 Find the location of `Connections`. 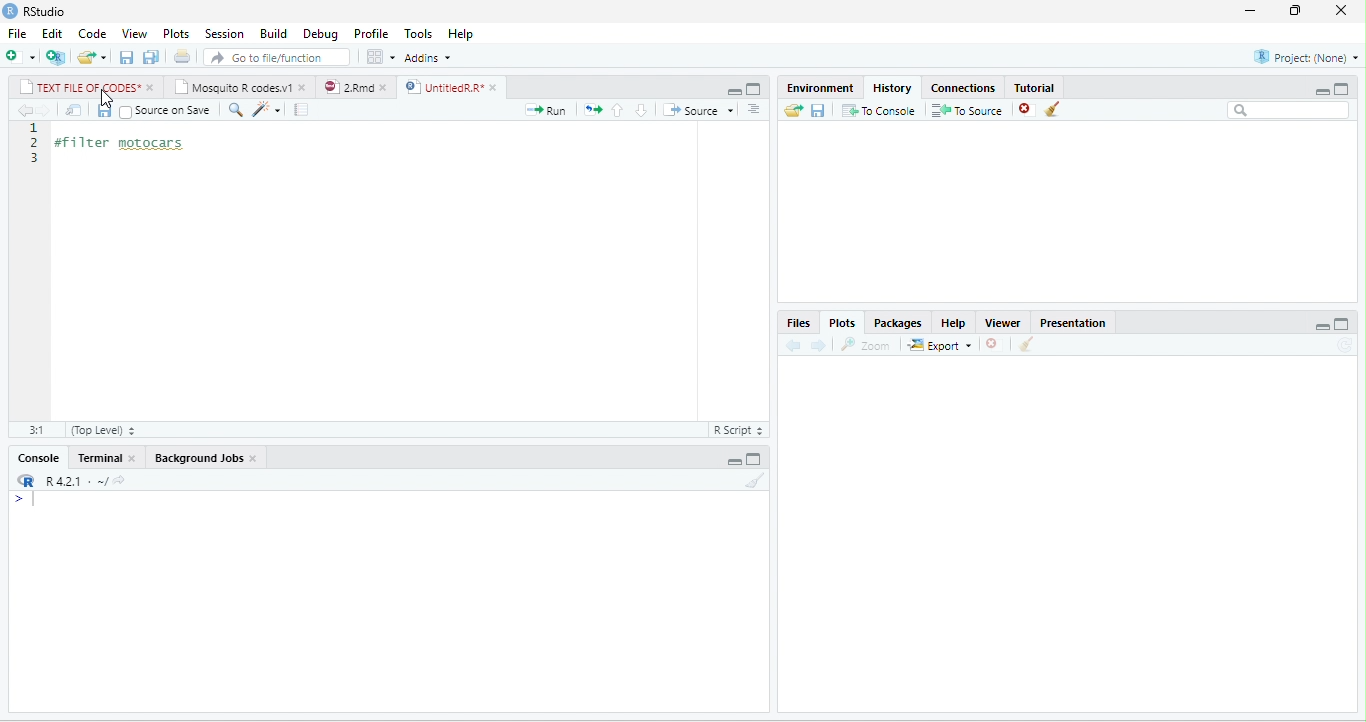

Connections is located at coordinates (963, 88).